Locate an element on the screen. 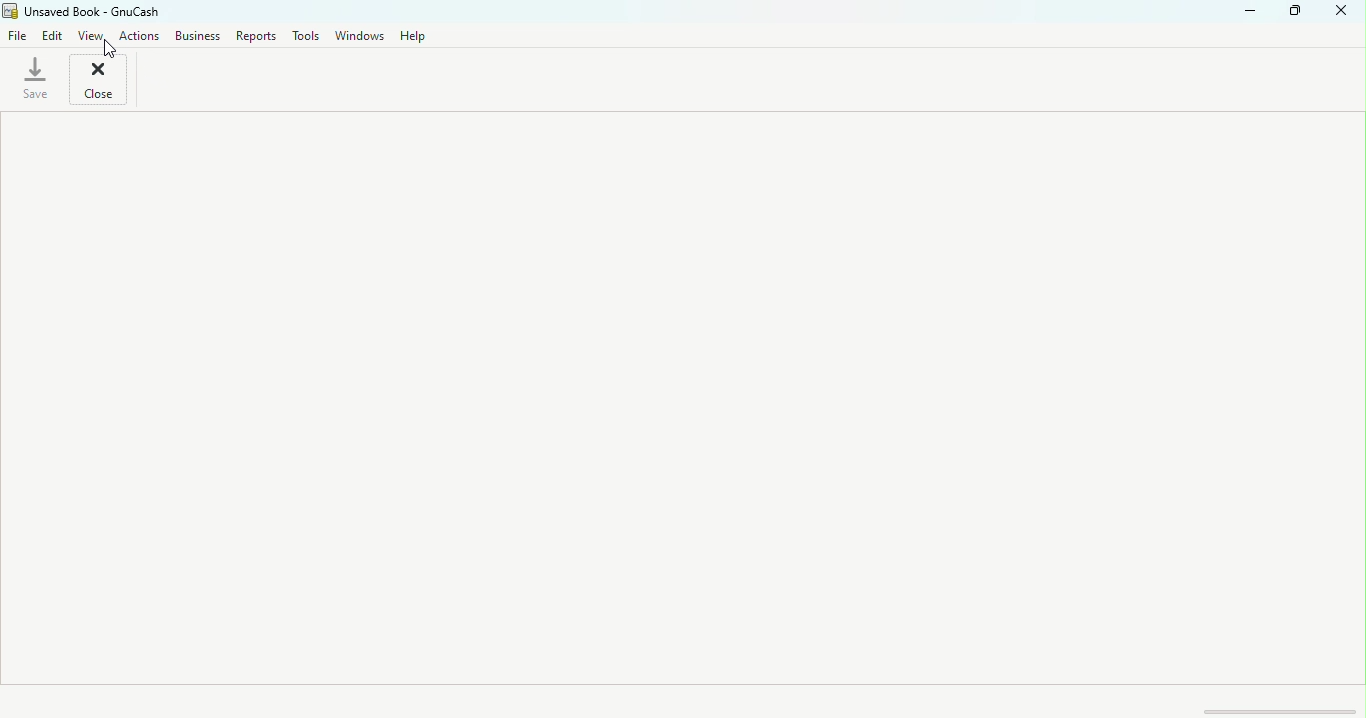  Close is located at coordinates (100, 82).